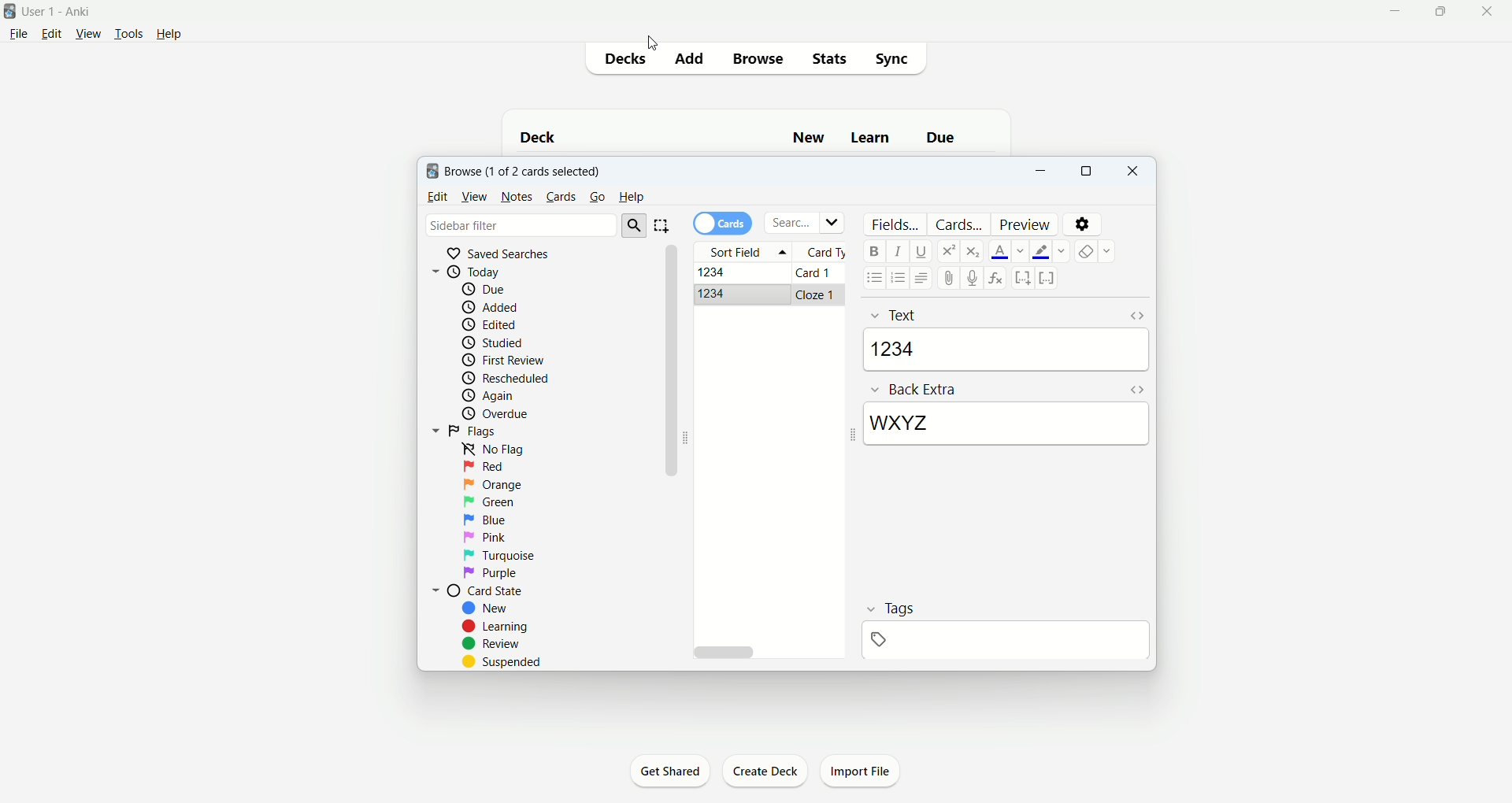 Image resolution: width=1512 pixels, height=803 pixels. Describe the element at coordinates (130, 38) in the screenshot. I see `tools` at that location.